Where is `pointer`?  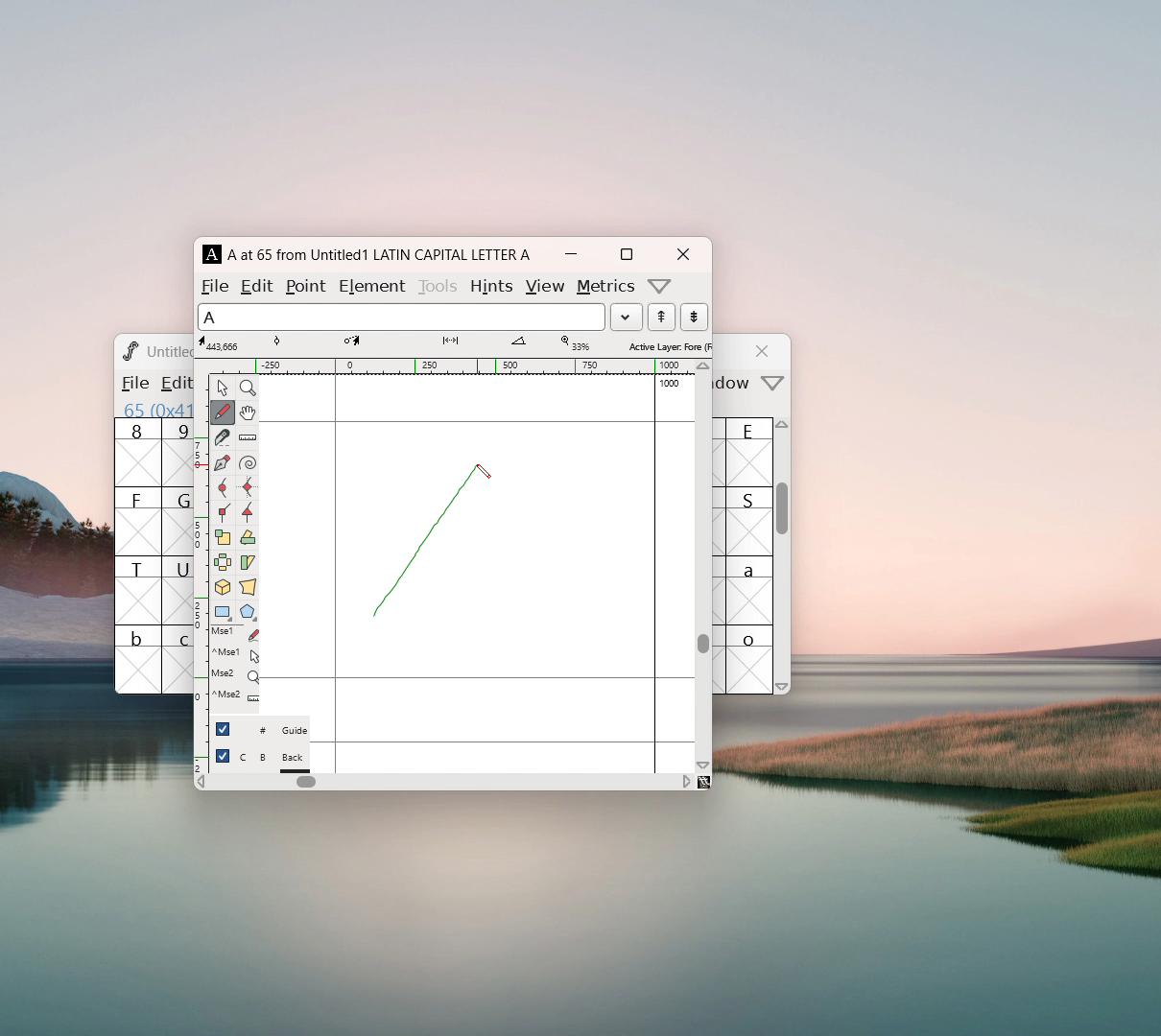 pointer is located at coordinates (223, 388).